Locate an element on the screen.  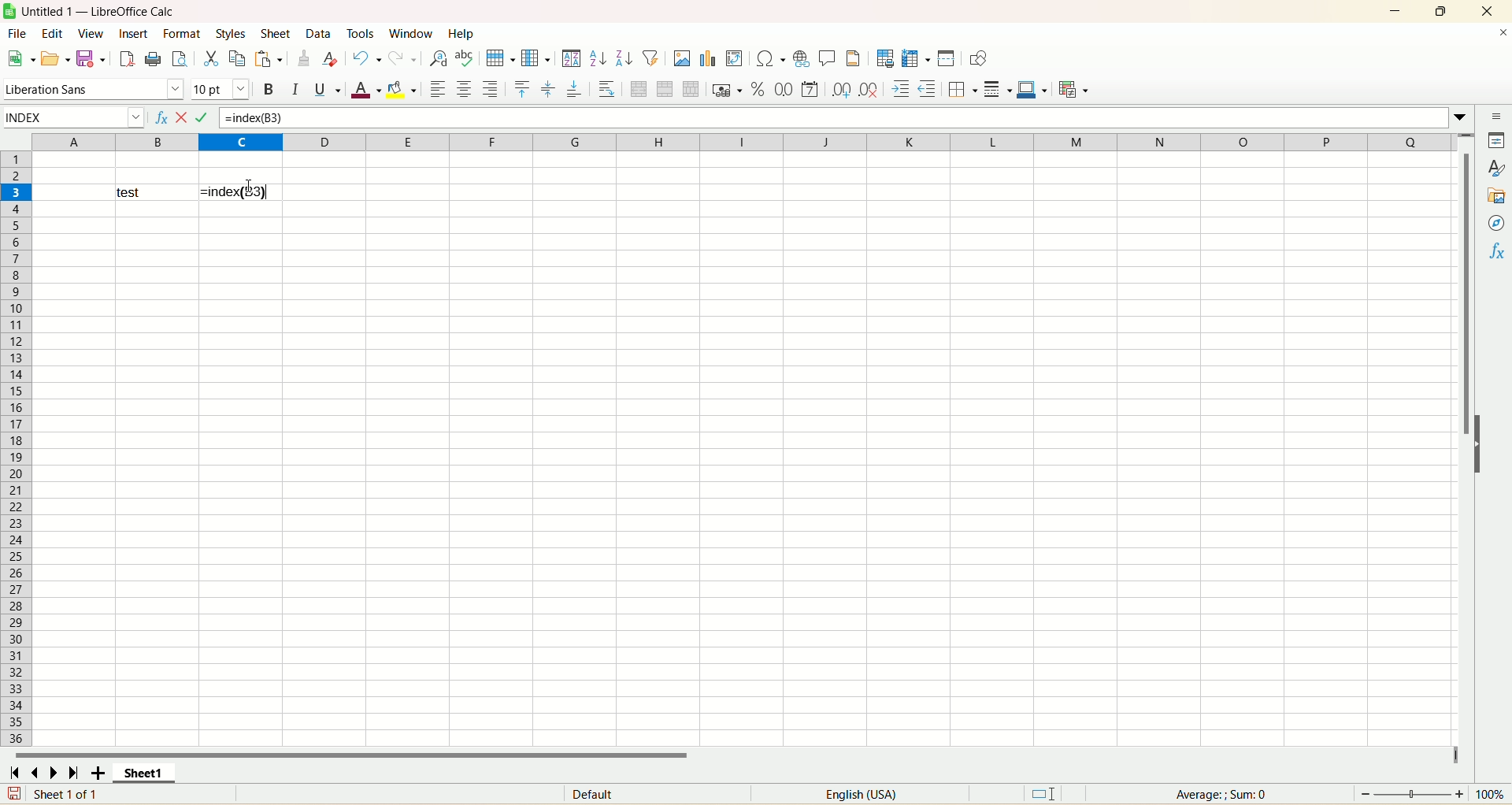
next sheet is located at coordinates (54, 772).